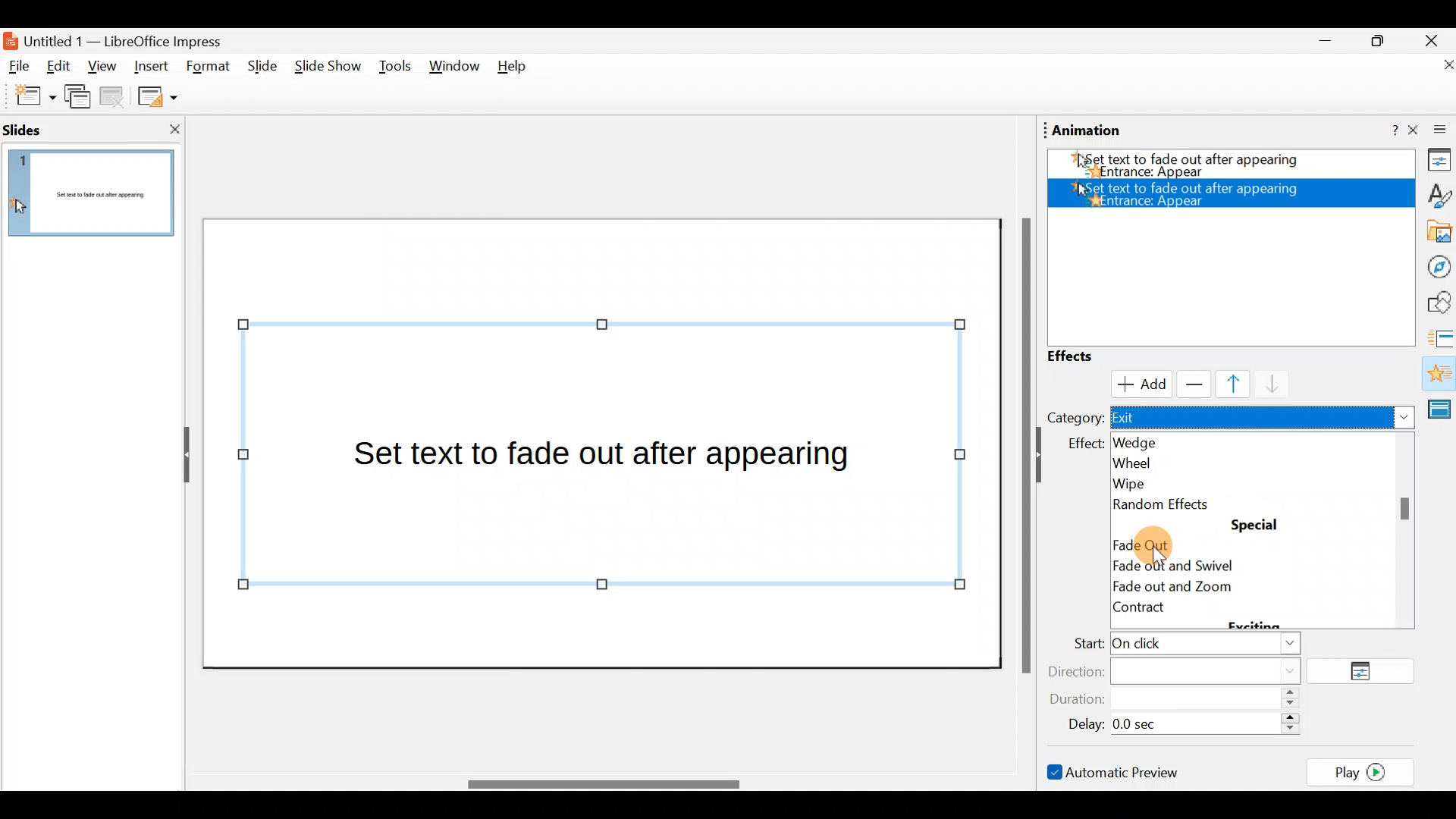 The height and width of the screenshot is (819, 1456). Describe the element at coordinates (1433, 66) in the screenshot. I see `Close document` at that location.